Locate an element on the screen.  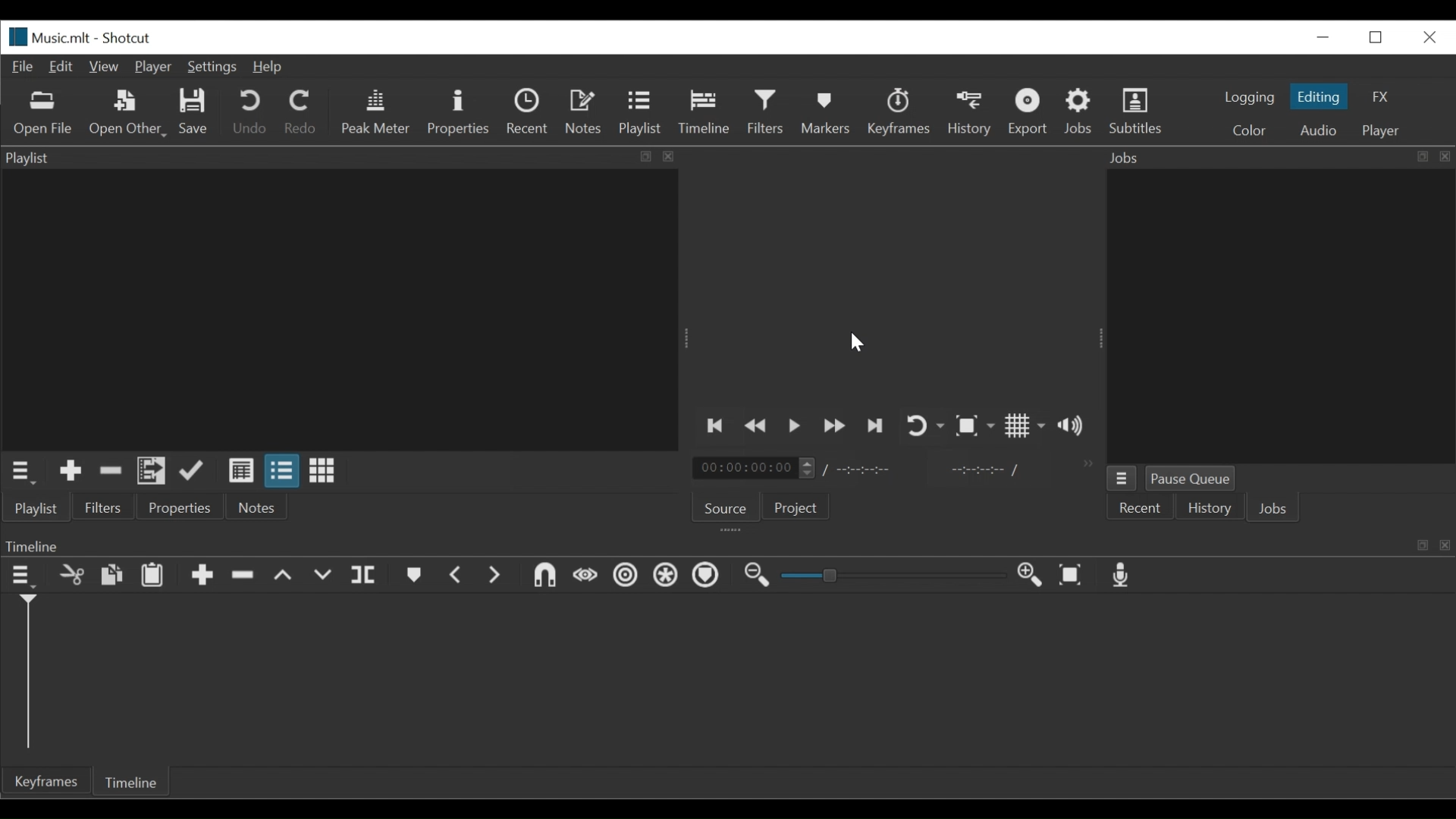
Redo is located at coordinates (304, 112).